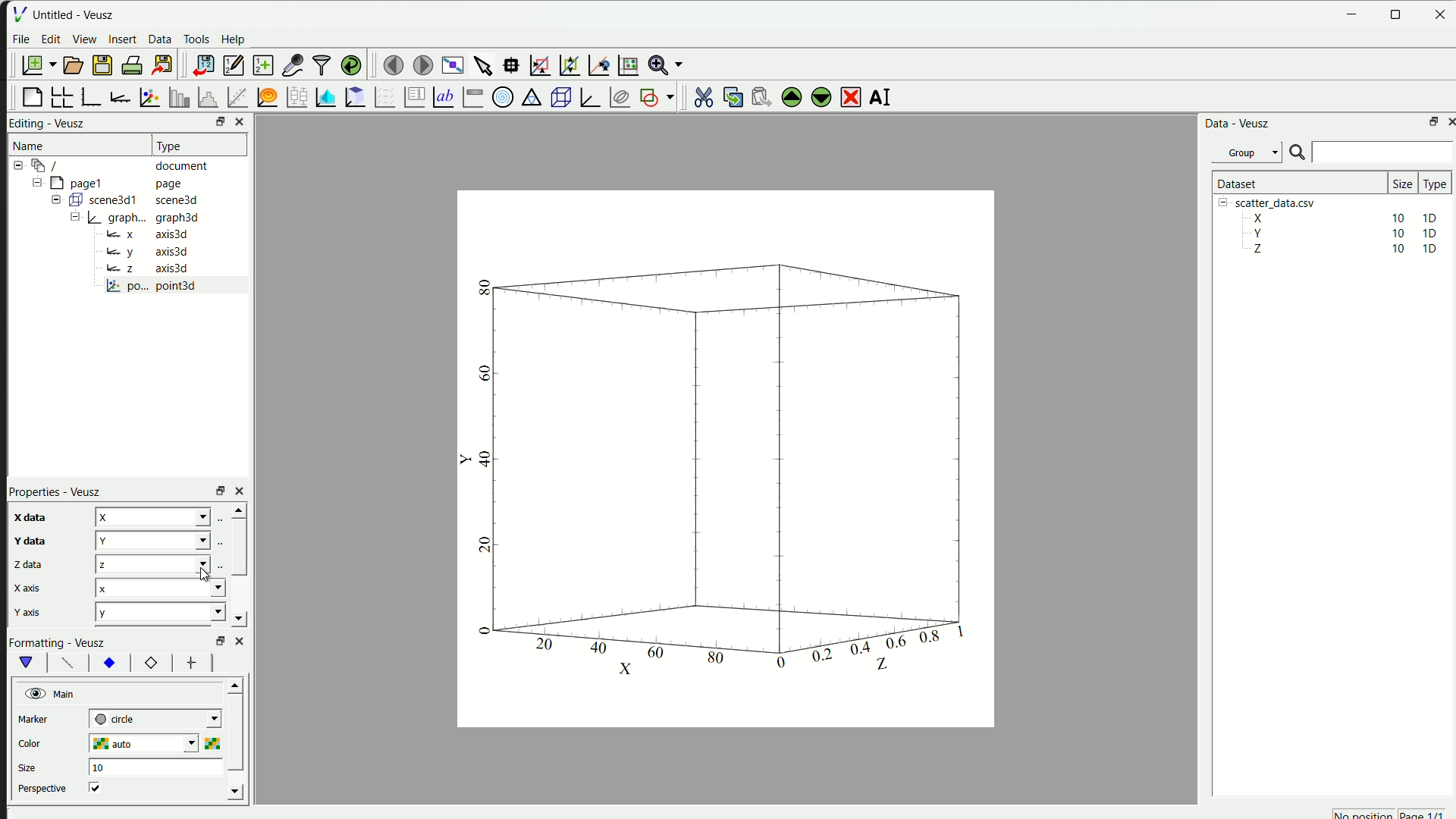  I want to click on z data, so click(26, 563).